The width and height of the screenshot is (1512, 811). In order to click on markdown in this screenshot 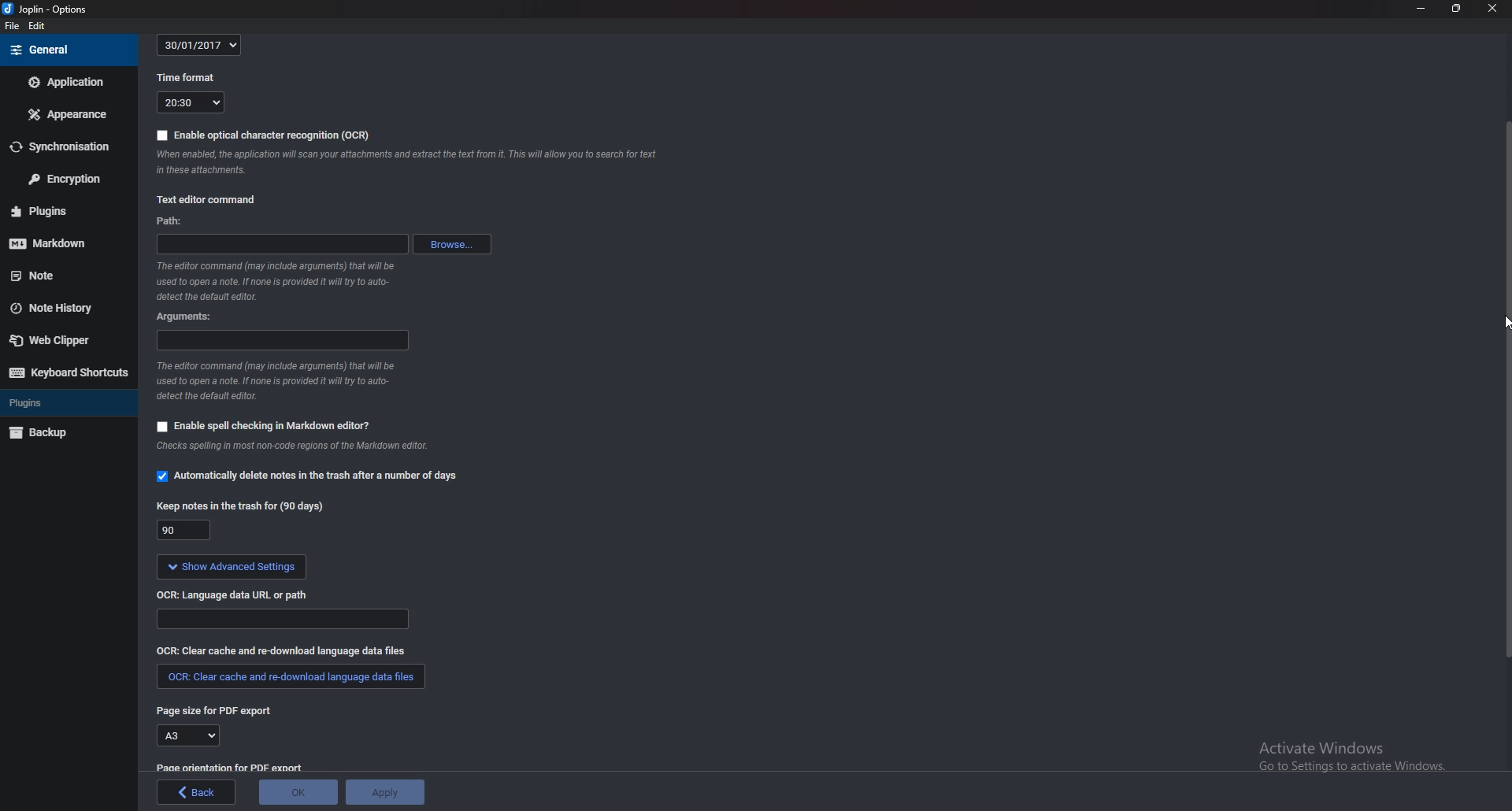, I will do `click(65, 244)`.